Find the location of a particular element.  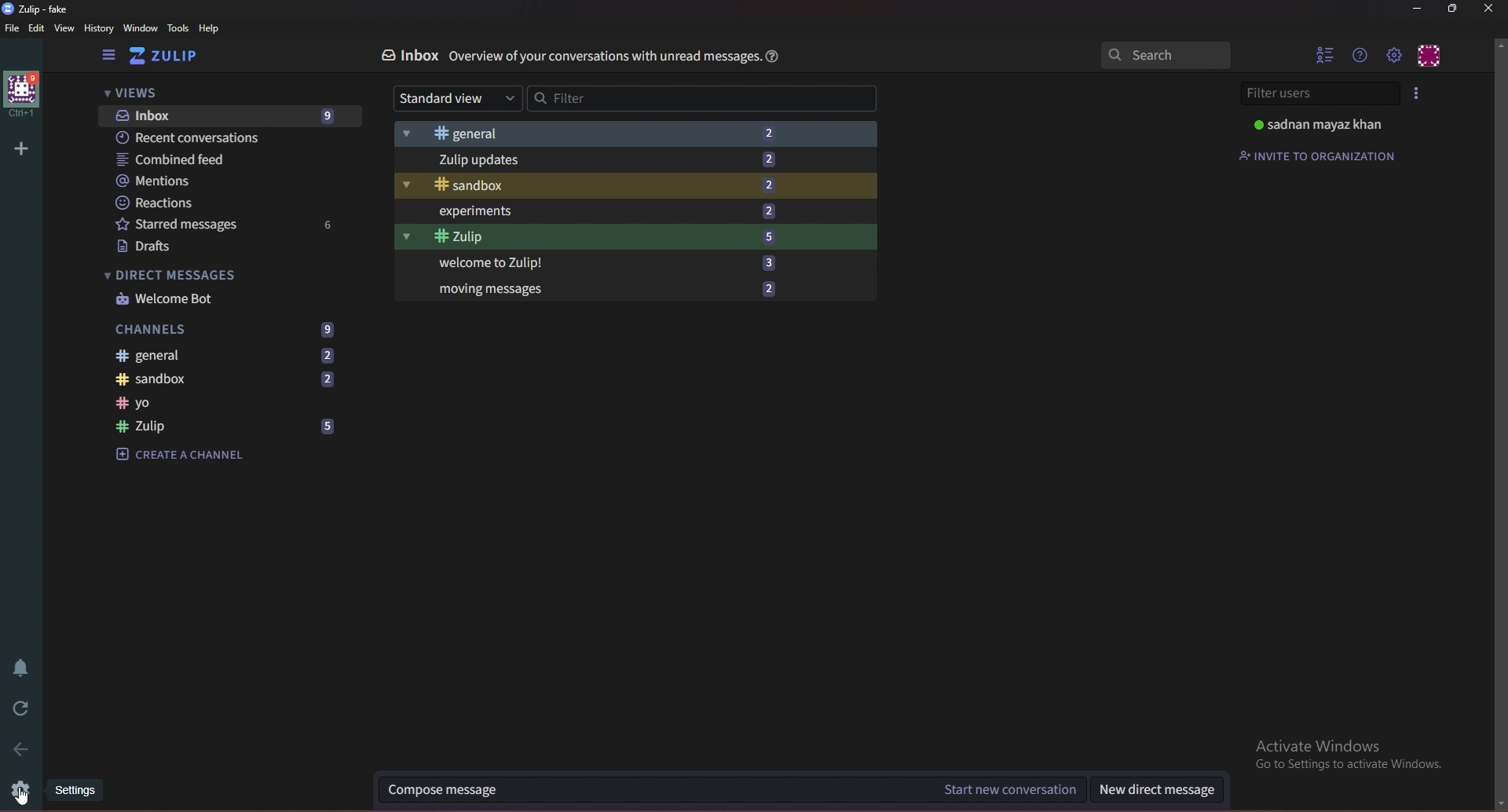

Moving messages is located at coordinates (642, 290).